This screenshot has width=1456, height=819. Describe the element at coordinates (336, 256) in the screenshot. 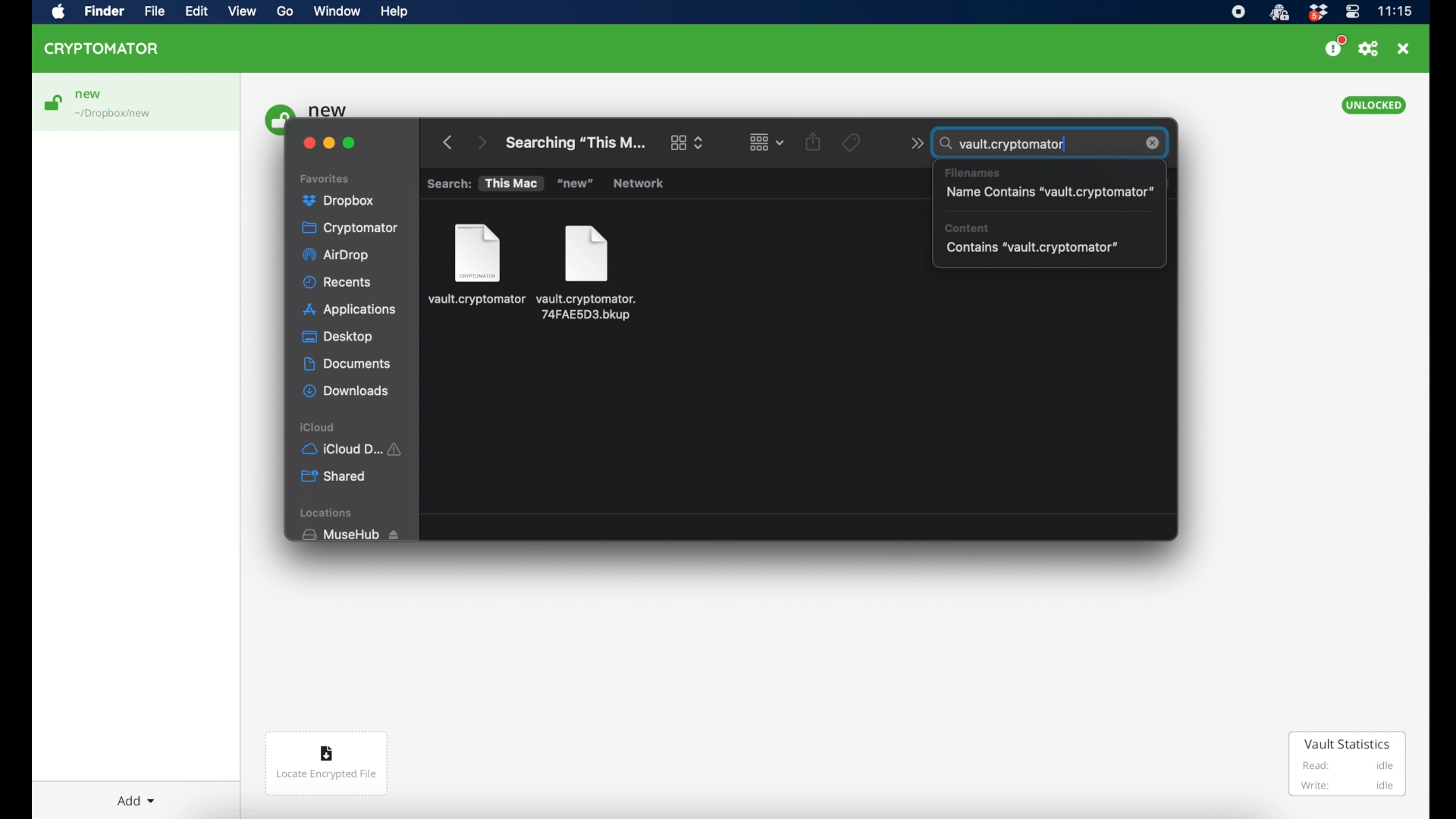

I see `airdrop` at that location.